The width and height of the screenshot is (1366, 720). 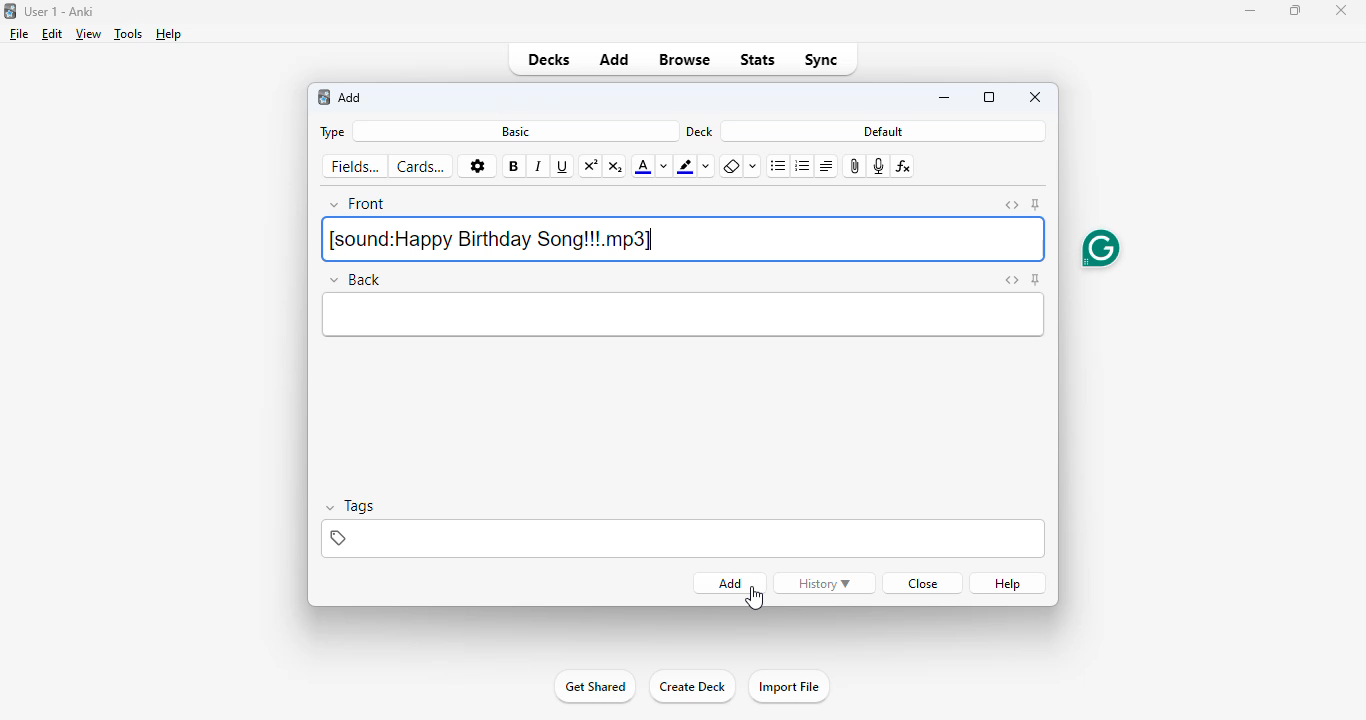 What do you see at coordinates (517, 132) in the screenshot?
I see `basic` at bounding box center [517, 132].